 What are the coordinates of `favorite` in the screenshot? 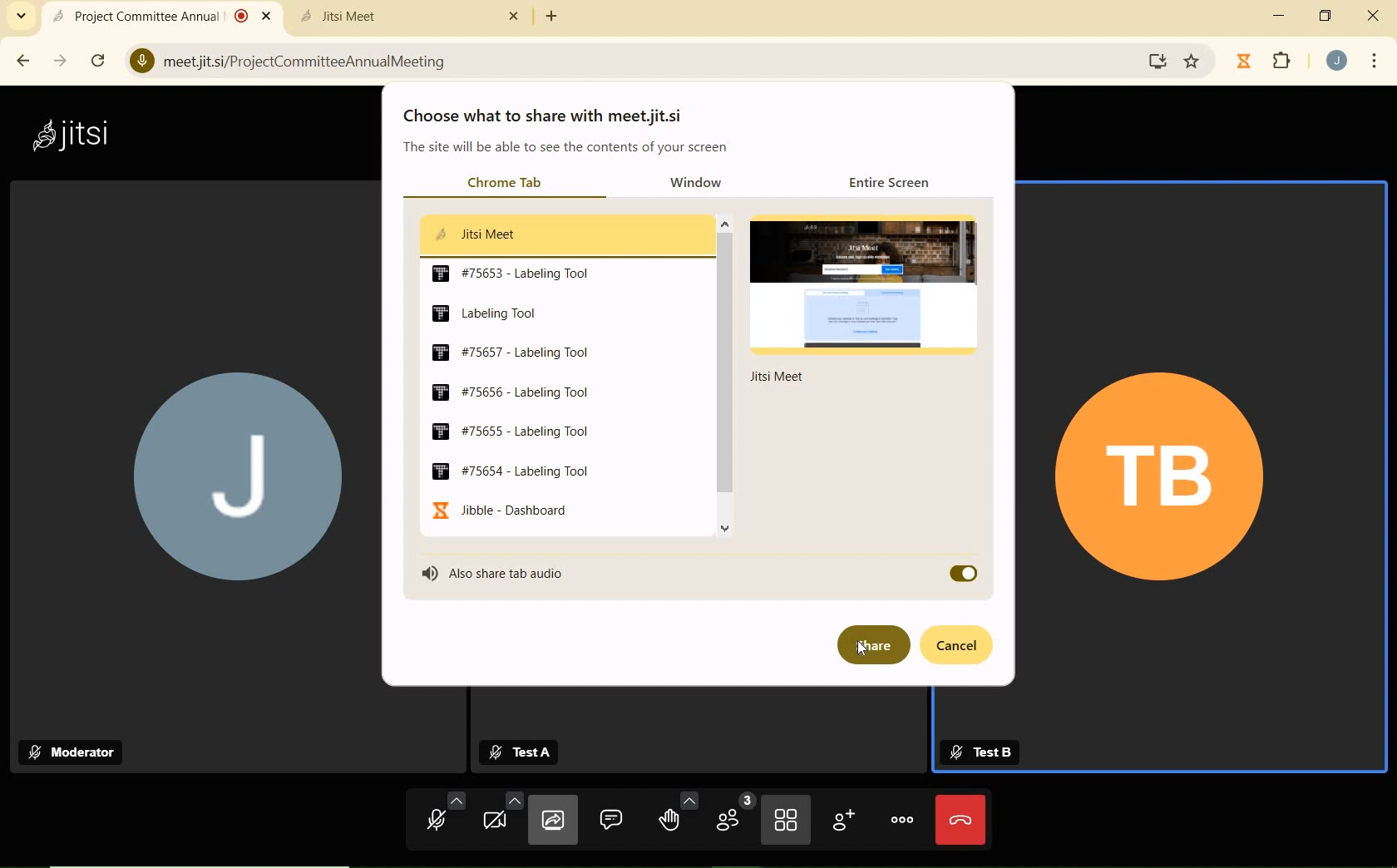 It's located at (1193, 58).